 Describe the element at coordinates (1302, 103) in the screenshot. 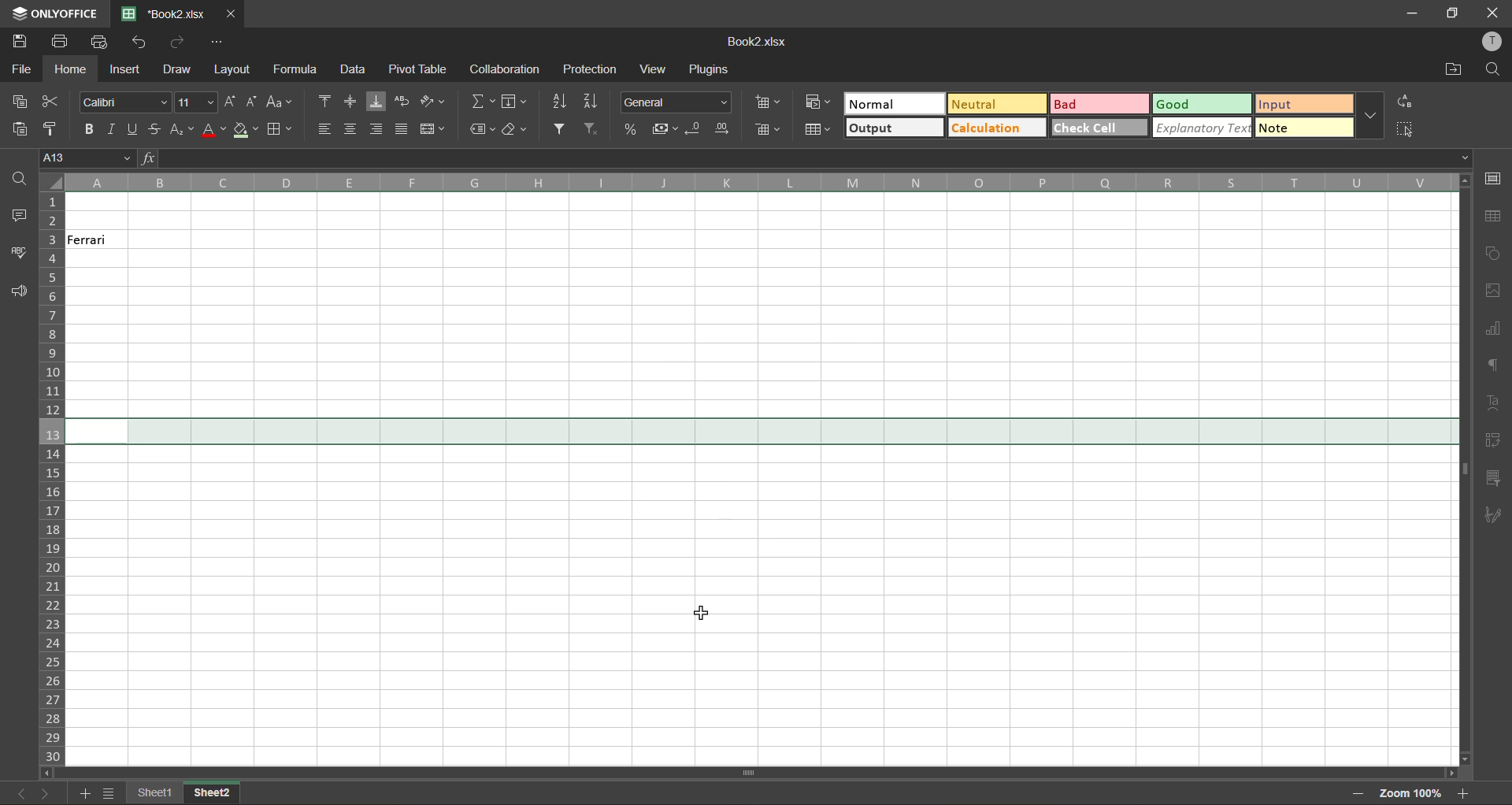

I see `input` at that location.